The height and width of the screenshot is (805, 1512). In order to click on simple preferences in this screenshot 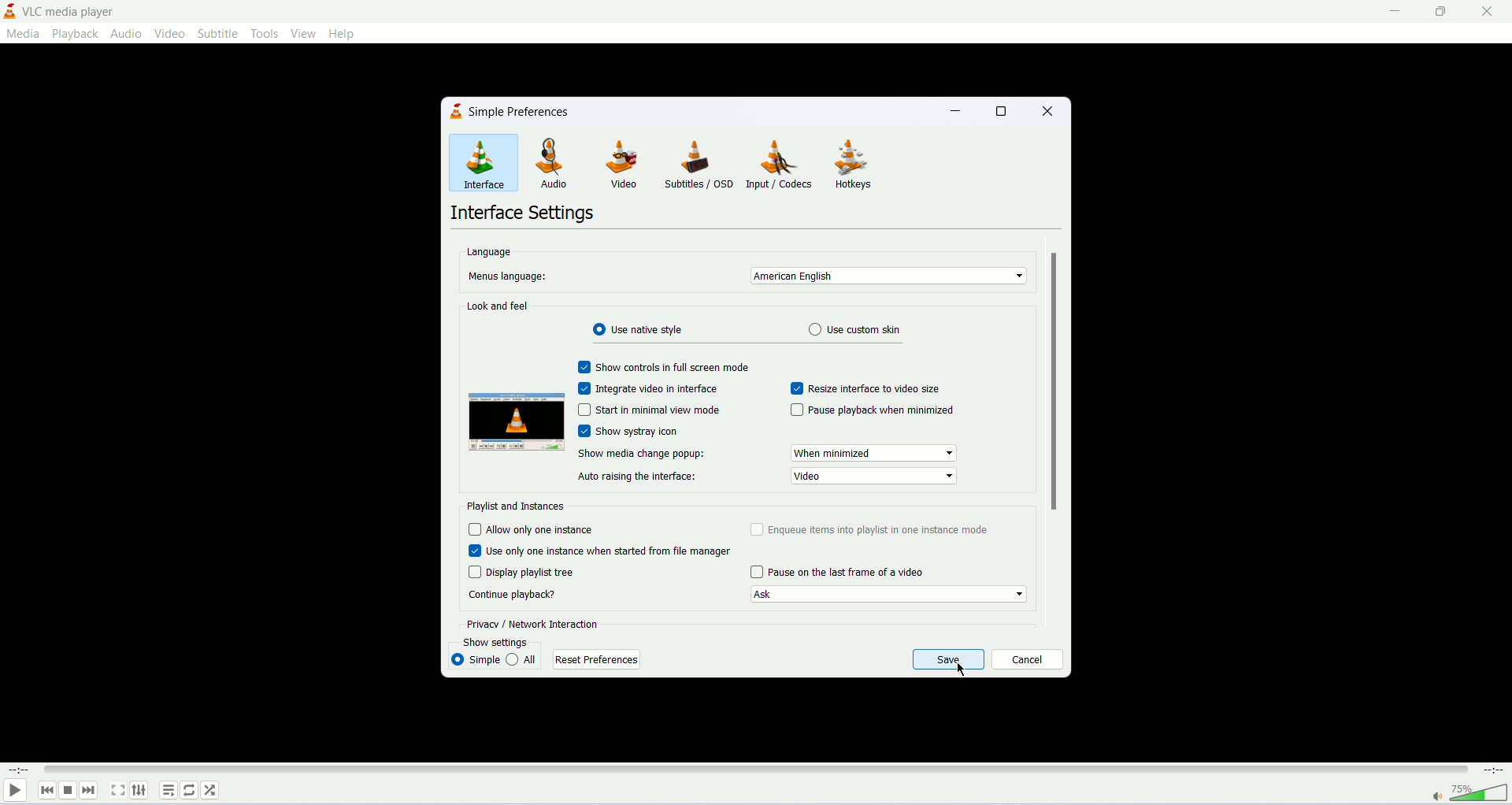, I will do `click(521, 113)`.